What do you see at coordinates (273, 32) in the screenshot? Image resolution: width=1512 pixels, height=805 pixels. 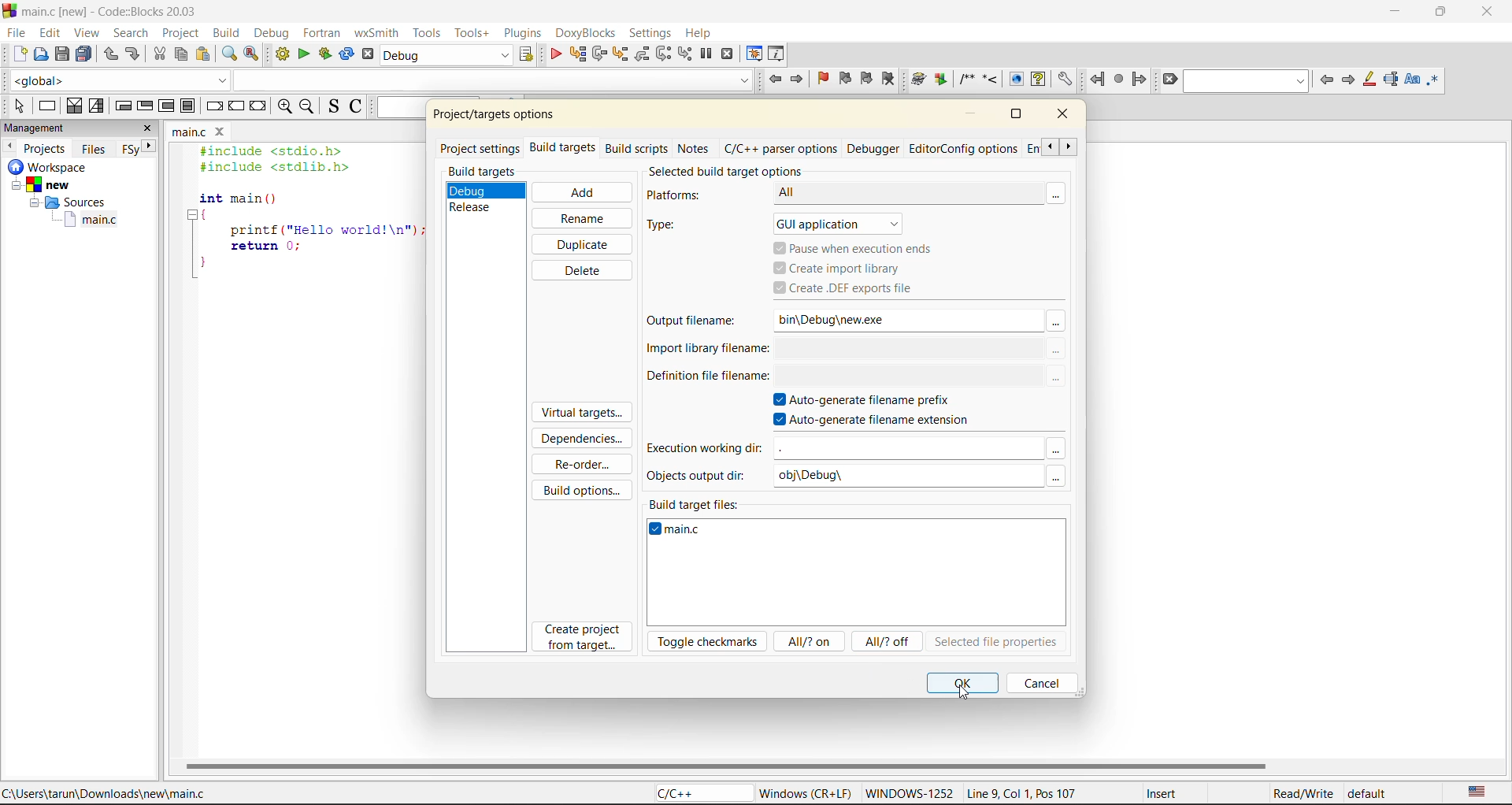 I see `debug` at bounding box center [273, 32].